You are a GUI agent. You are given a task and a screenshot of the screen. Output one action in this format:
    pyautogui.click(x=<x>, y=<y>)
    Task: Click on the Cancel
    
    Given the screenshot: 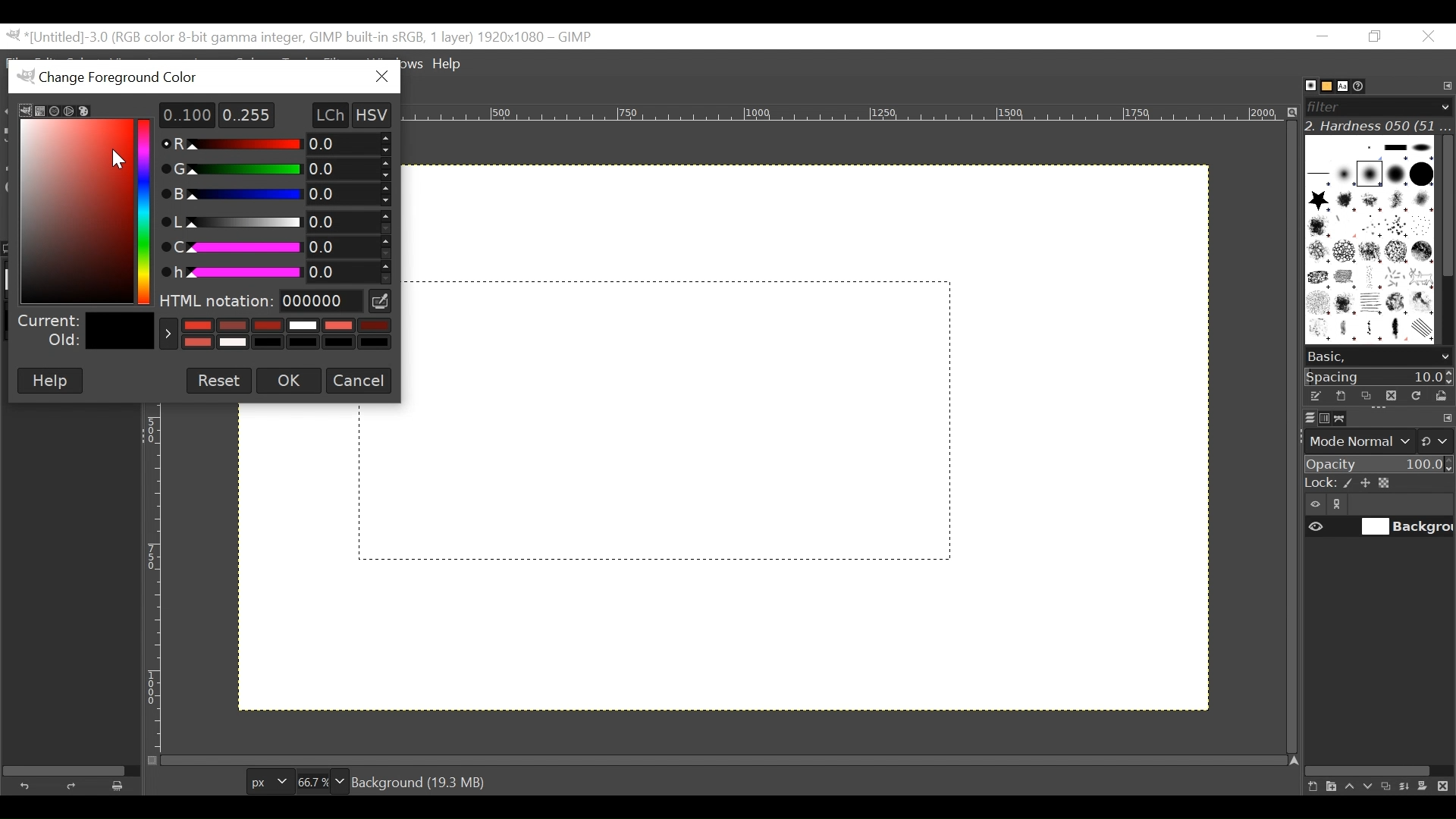 What is the action you would take?
    pyautogui.click(x=358, y=380)
    